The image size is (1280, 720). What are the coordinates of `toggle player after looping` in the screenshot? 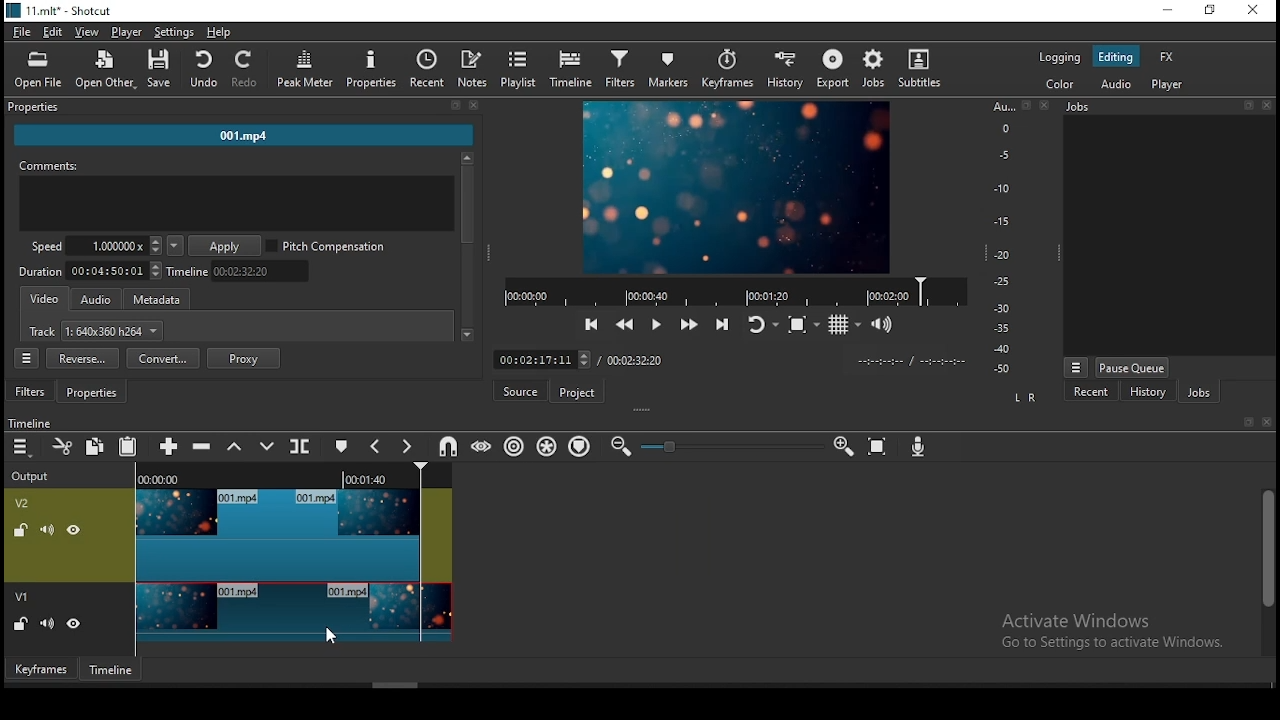 It's located at (763, 322).